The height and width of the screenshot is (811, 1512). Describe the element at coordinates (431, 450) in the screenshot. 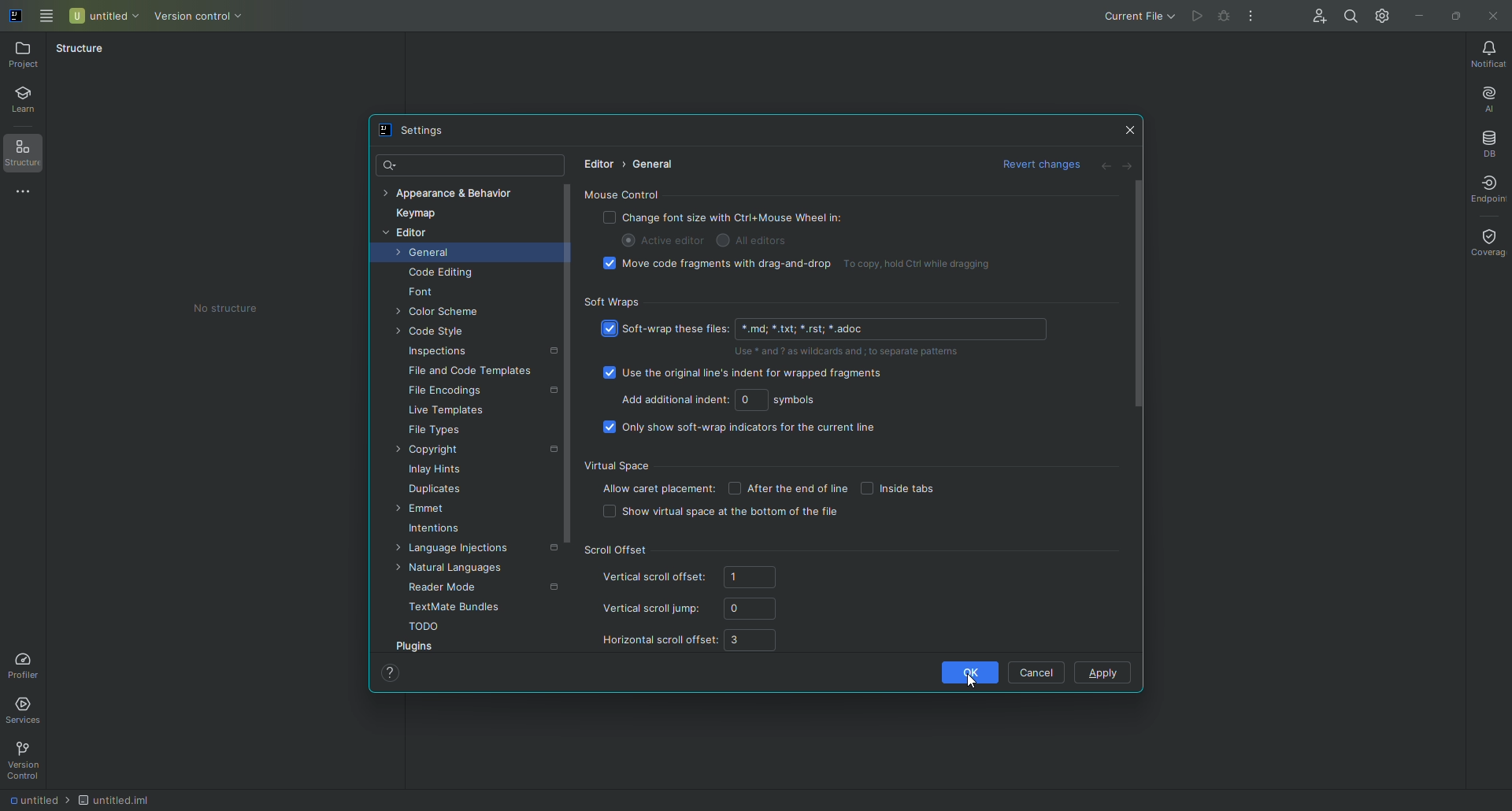

I see `Copyright` at that location.